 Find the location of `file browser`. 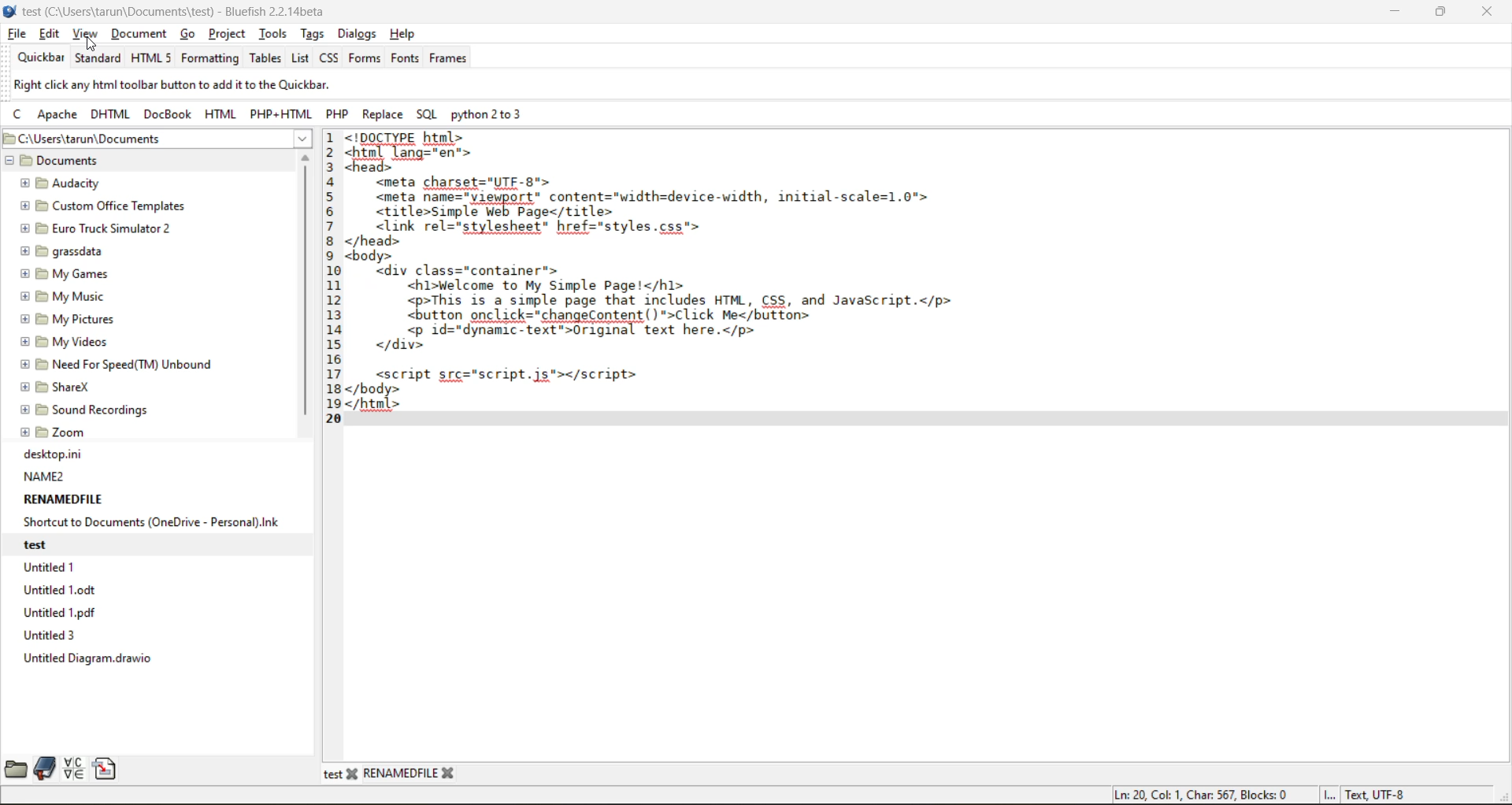

file browser is located at coordinates (16, 768).